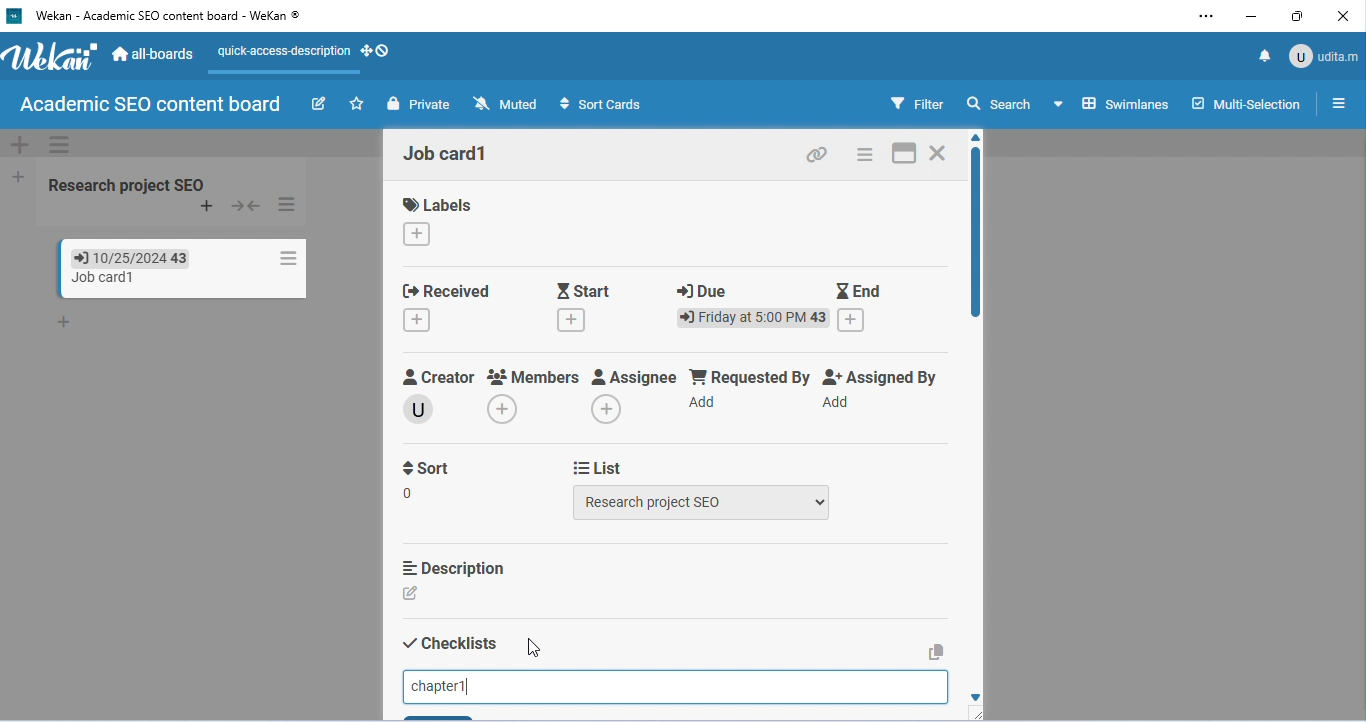 The height and width of the screenshot is (722, 1366). Describe the element at coordinates (917, 103) in the screenshot. I see `filter` at that location.